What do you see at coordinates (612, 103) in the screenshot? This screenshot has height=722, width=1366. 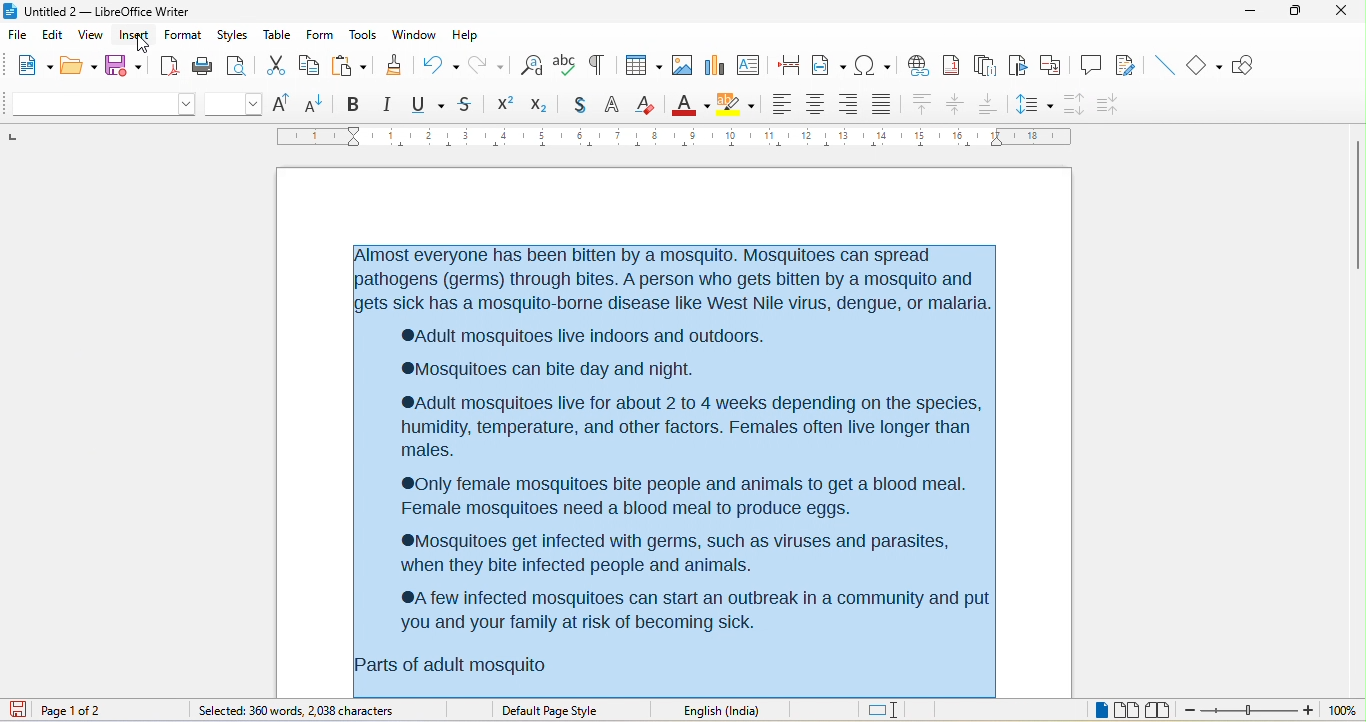 I see `outline font effect` at bounding box center [612, 103].